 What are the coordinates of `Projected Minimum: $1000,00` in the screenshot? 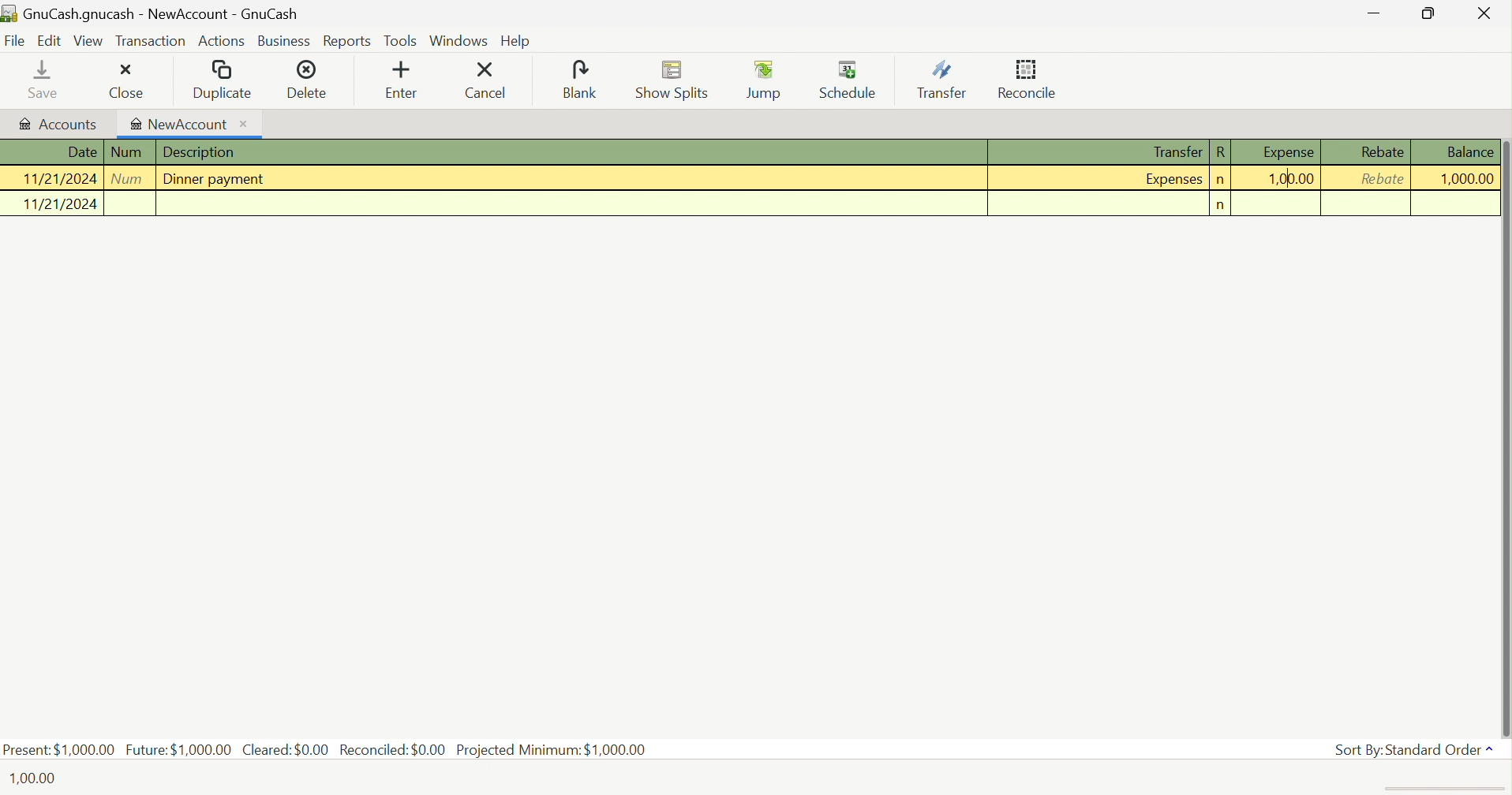 It's located at (551, 749).